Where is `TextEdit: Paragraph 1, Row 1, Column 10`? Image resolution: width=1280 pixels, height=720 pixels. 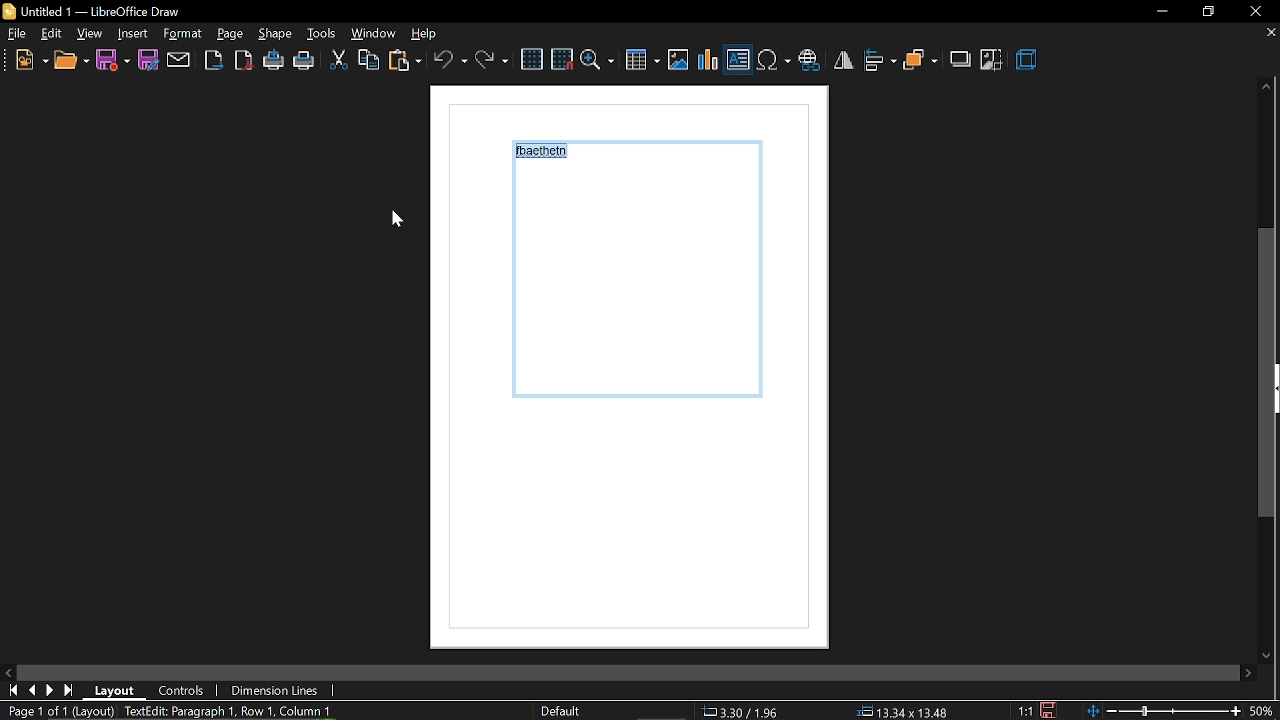 TextEdit: Paragraph 1, Row 1, Column 10 is located at coordinates (232, 711).